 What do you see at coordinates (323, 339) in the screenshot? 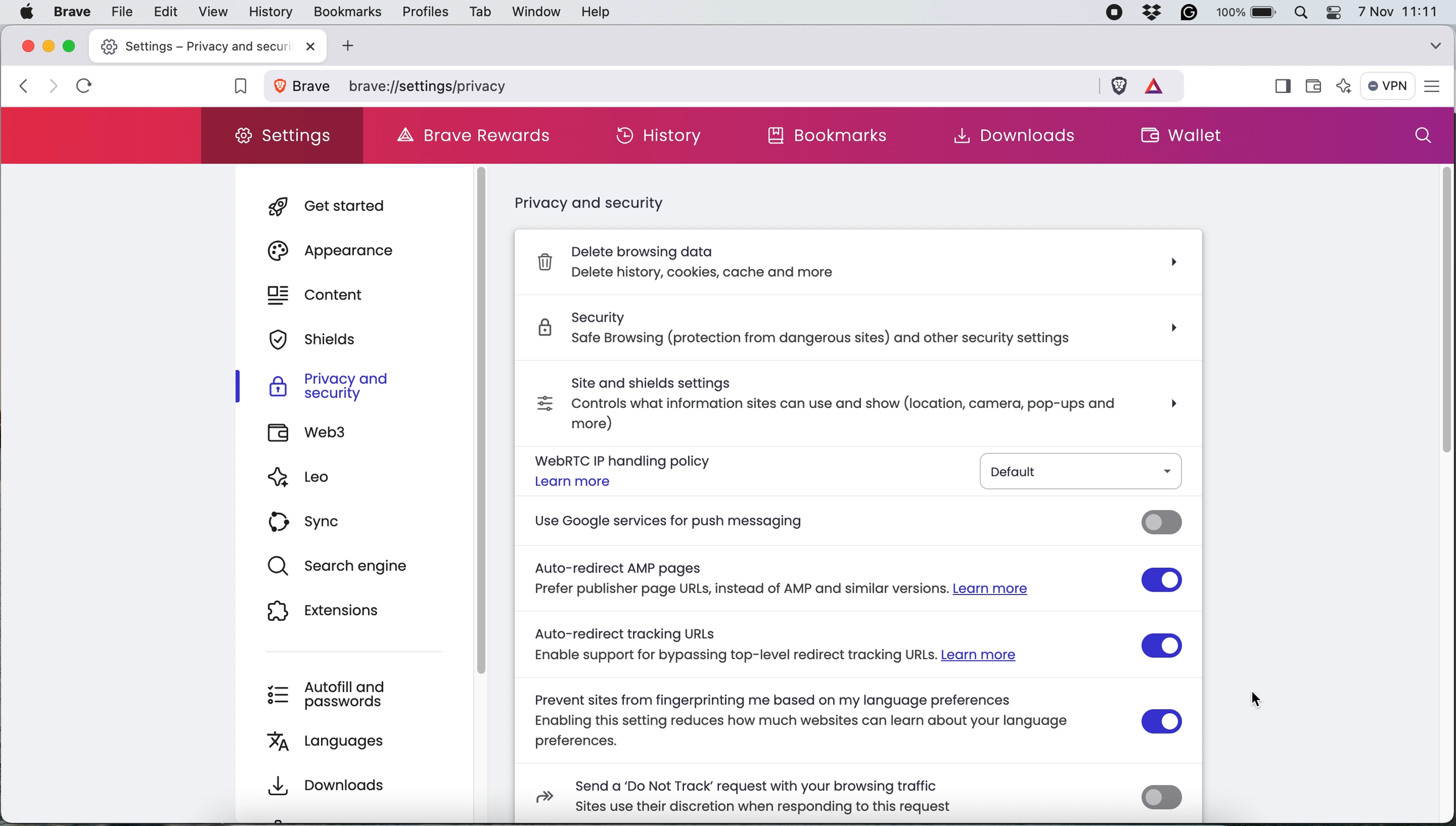
I see `shields` at bounding box center [323, 339].